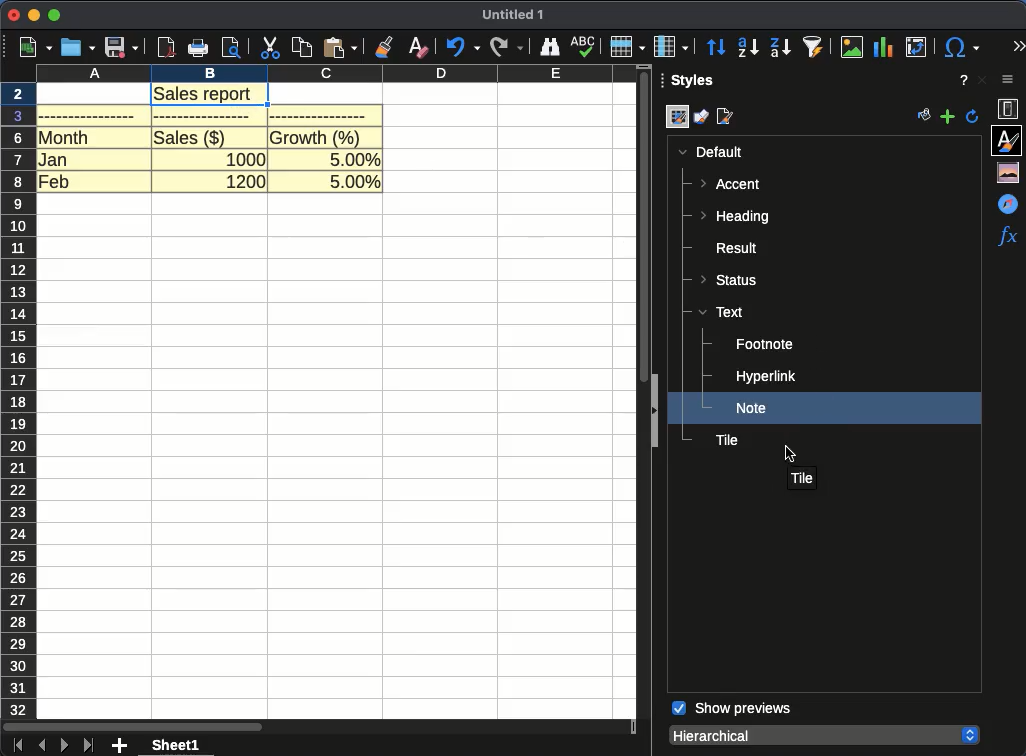  What do you see at coordinates (651, 413) in the screenshot?
I see `expand` at bounding box center [651, 413].